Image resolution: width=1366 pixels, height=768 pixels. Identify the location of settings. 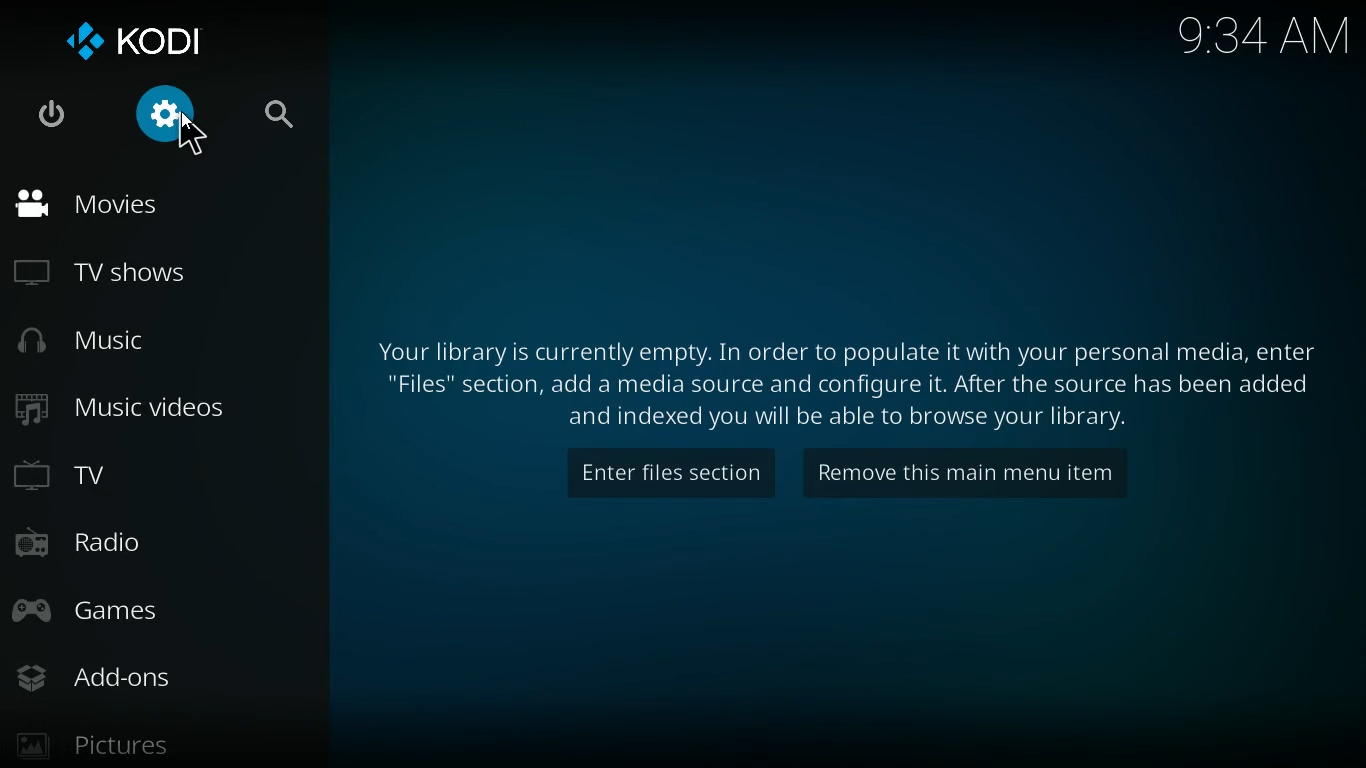
(170, 120).